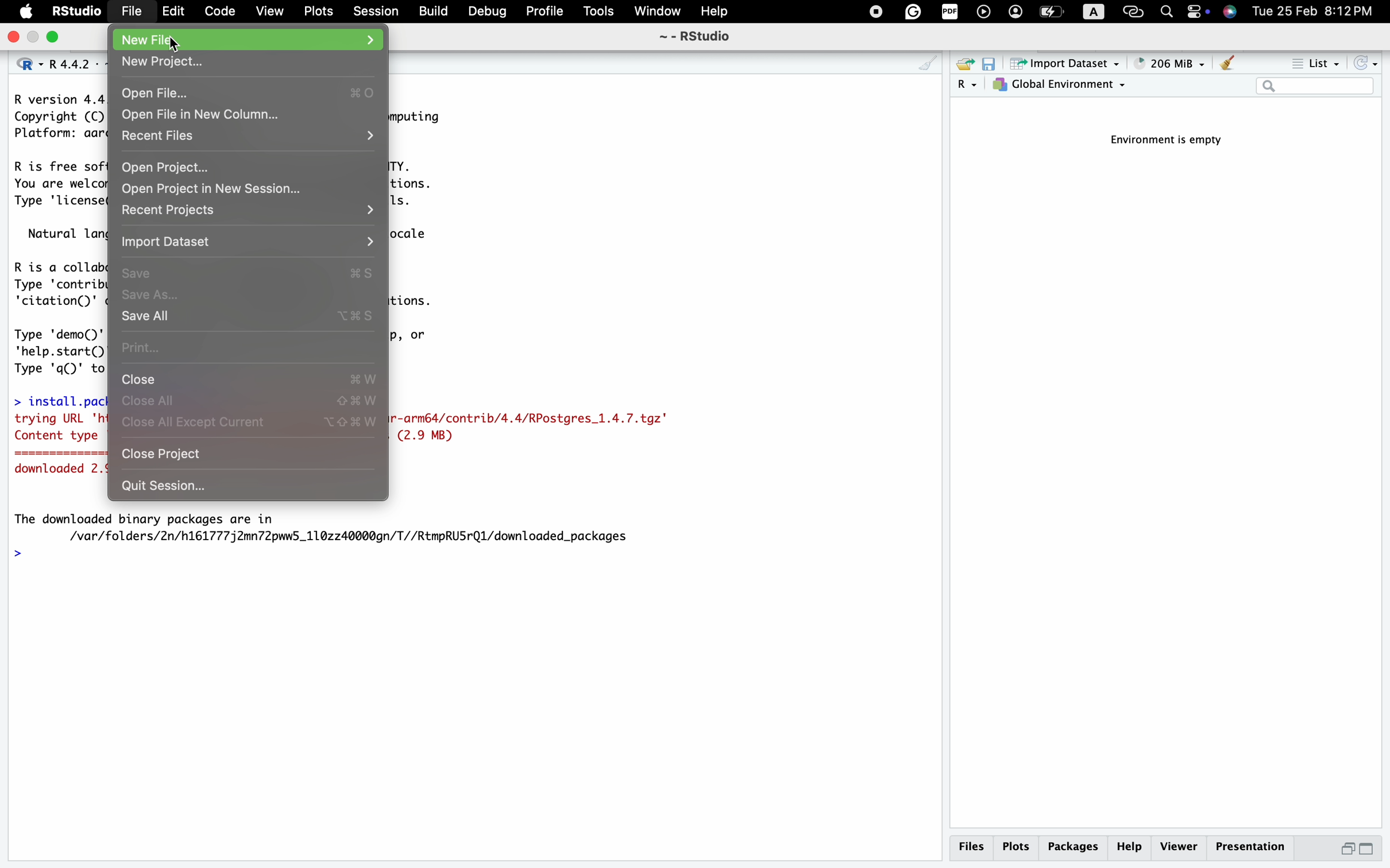  I want to click on cursor, so click(177, 48).